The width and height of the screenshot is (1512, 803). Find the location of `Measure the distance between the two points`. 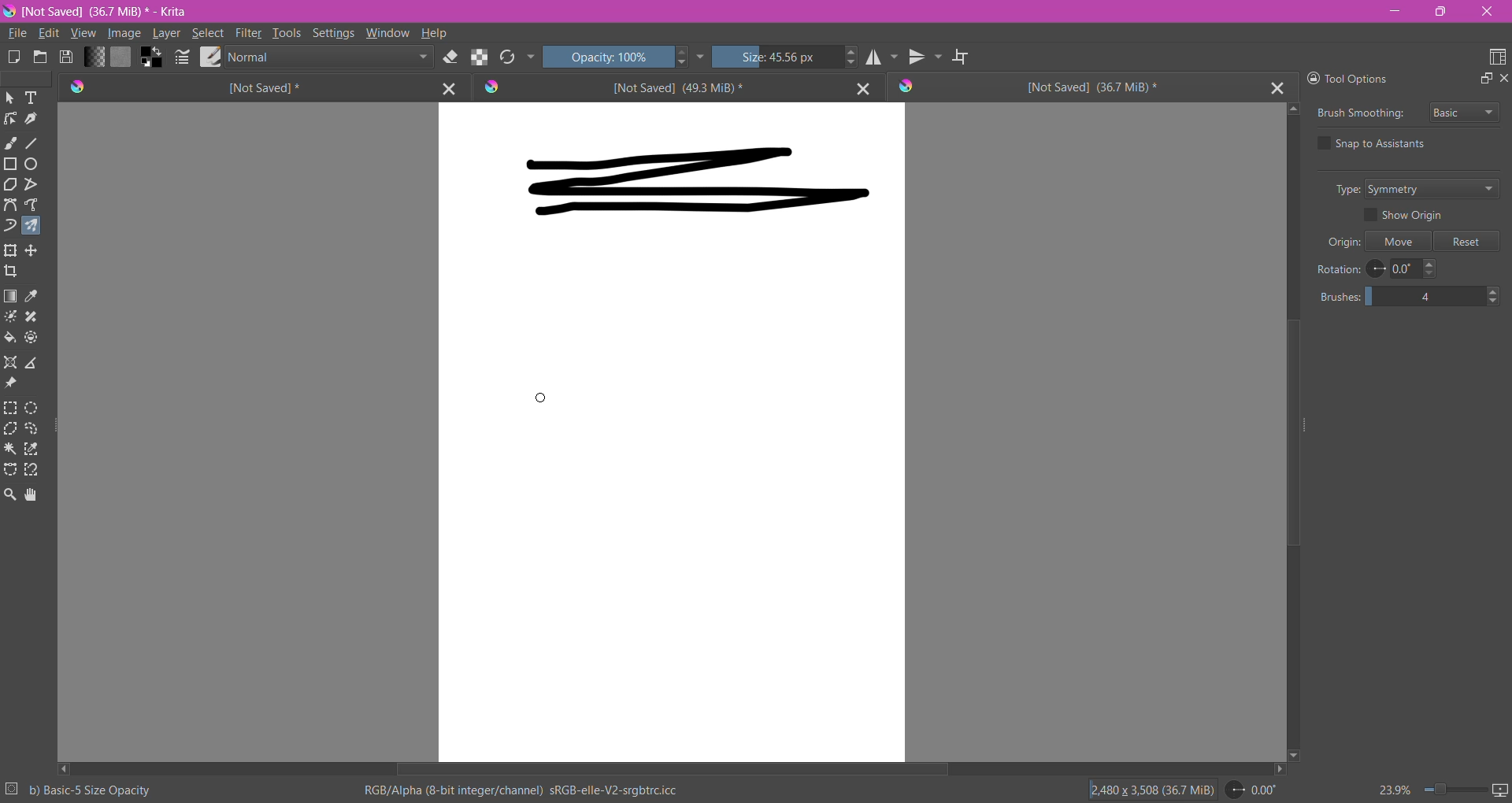

Measure the distance between the two points is located at coordinates (33, 361).